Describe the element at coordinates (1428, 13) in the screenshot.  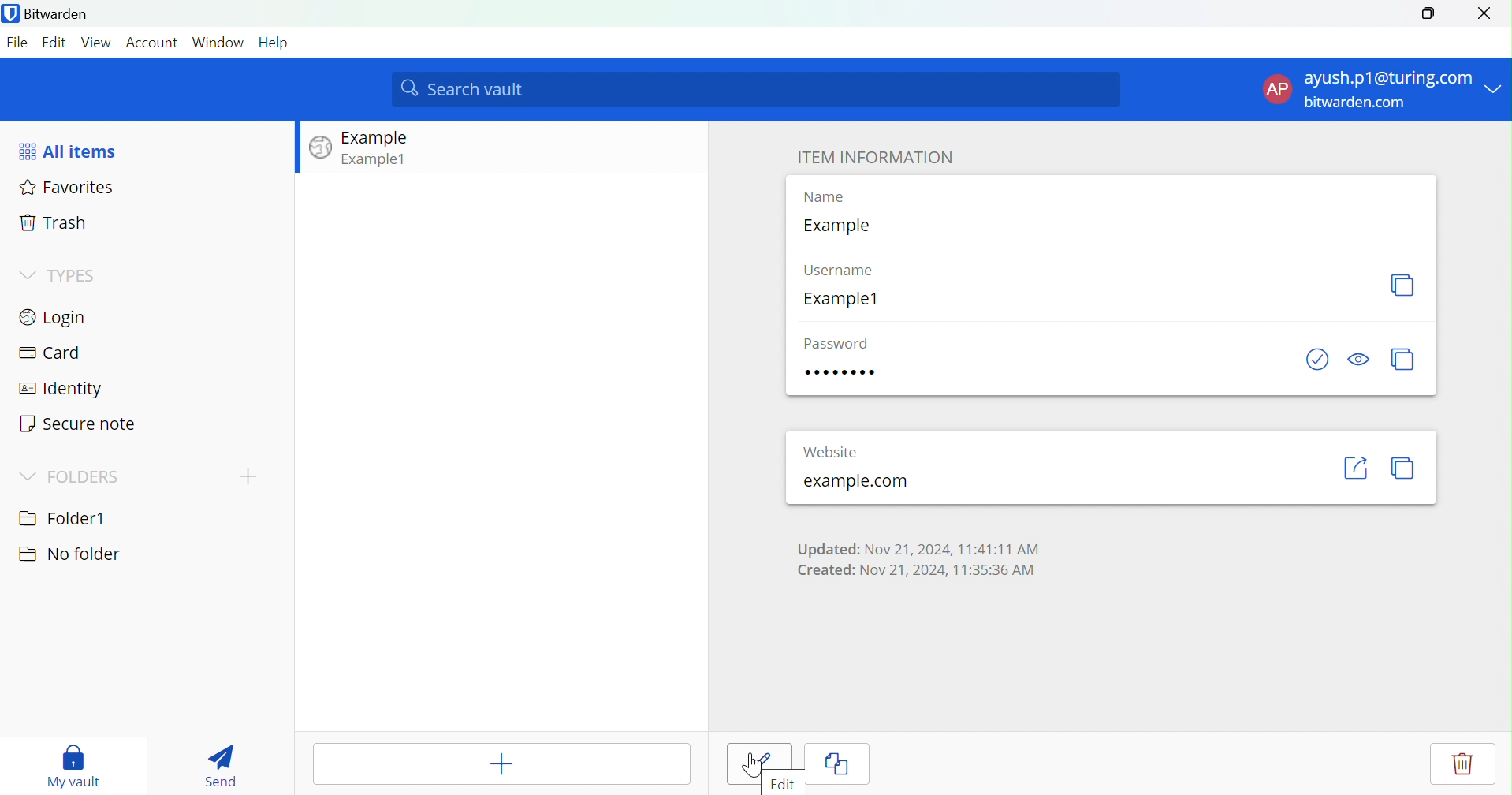
I see `Restore Down` at that location.